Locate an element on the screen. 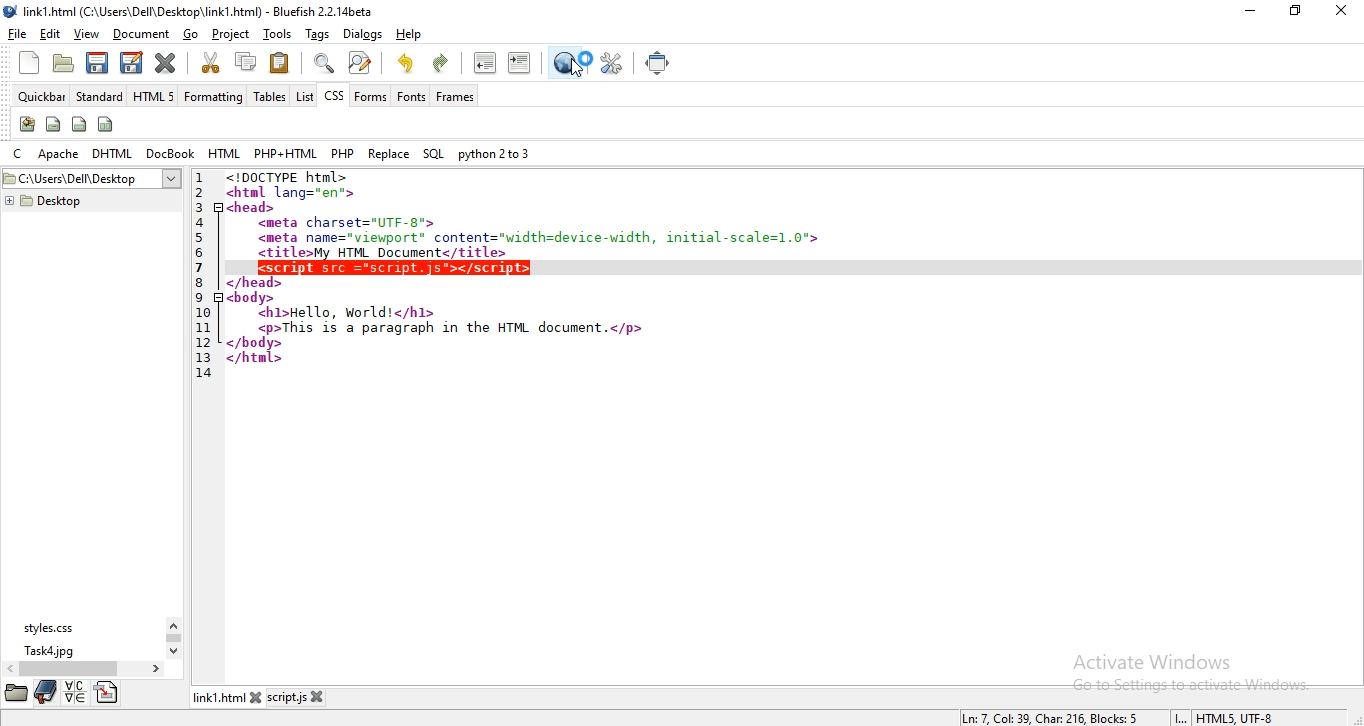 The height and width of the screenshot is (726, 1364). frames is located at coordinates (454, 96).